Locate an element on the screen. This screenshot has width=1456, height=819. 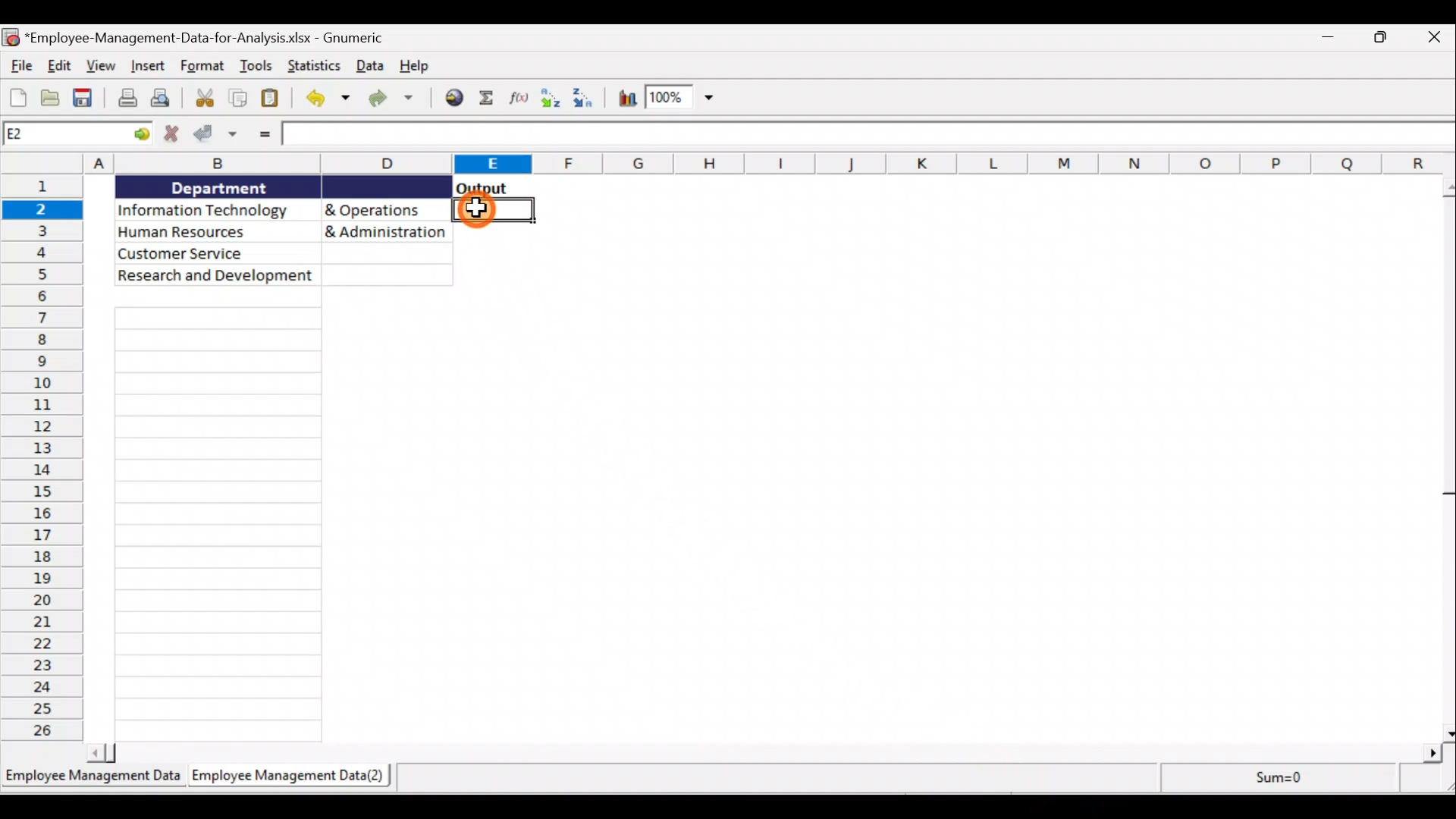
Paste clipboard is located at coordinates (272, 98).